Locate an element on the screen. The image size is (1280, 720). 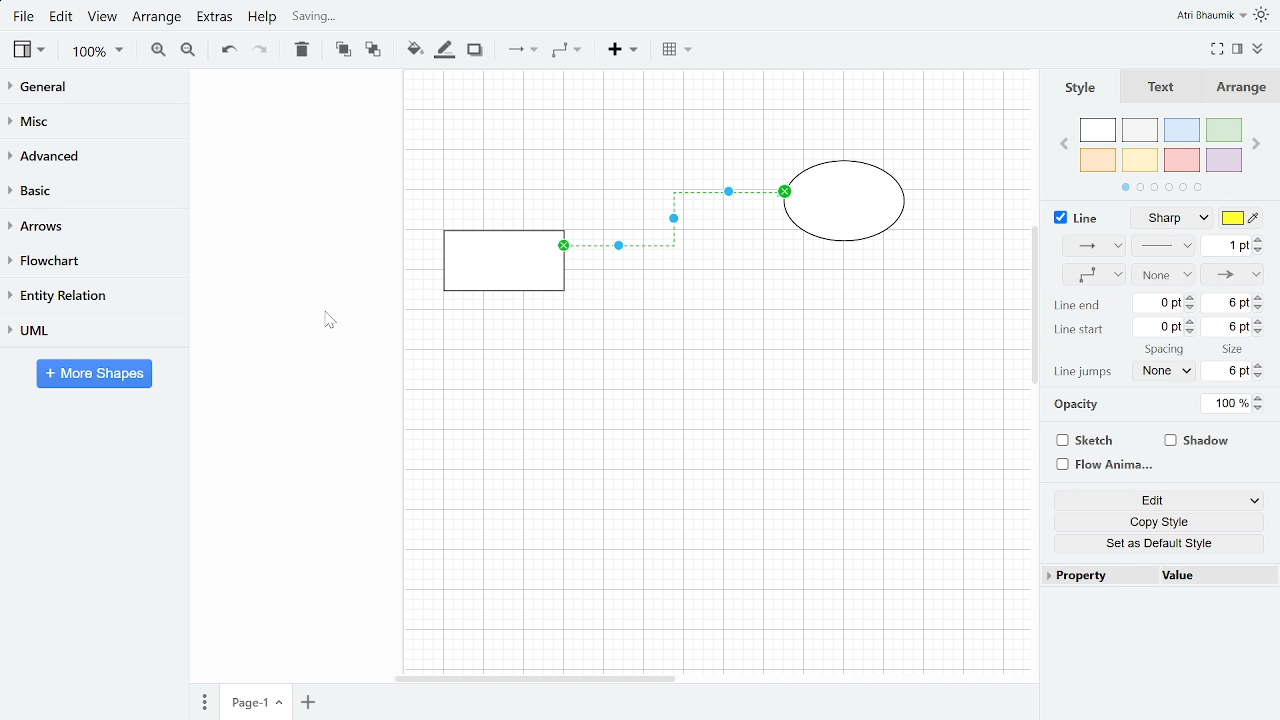
Current page is located at coordinates (306, 703).